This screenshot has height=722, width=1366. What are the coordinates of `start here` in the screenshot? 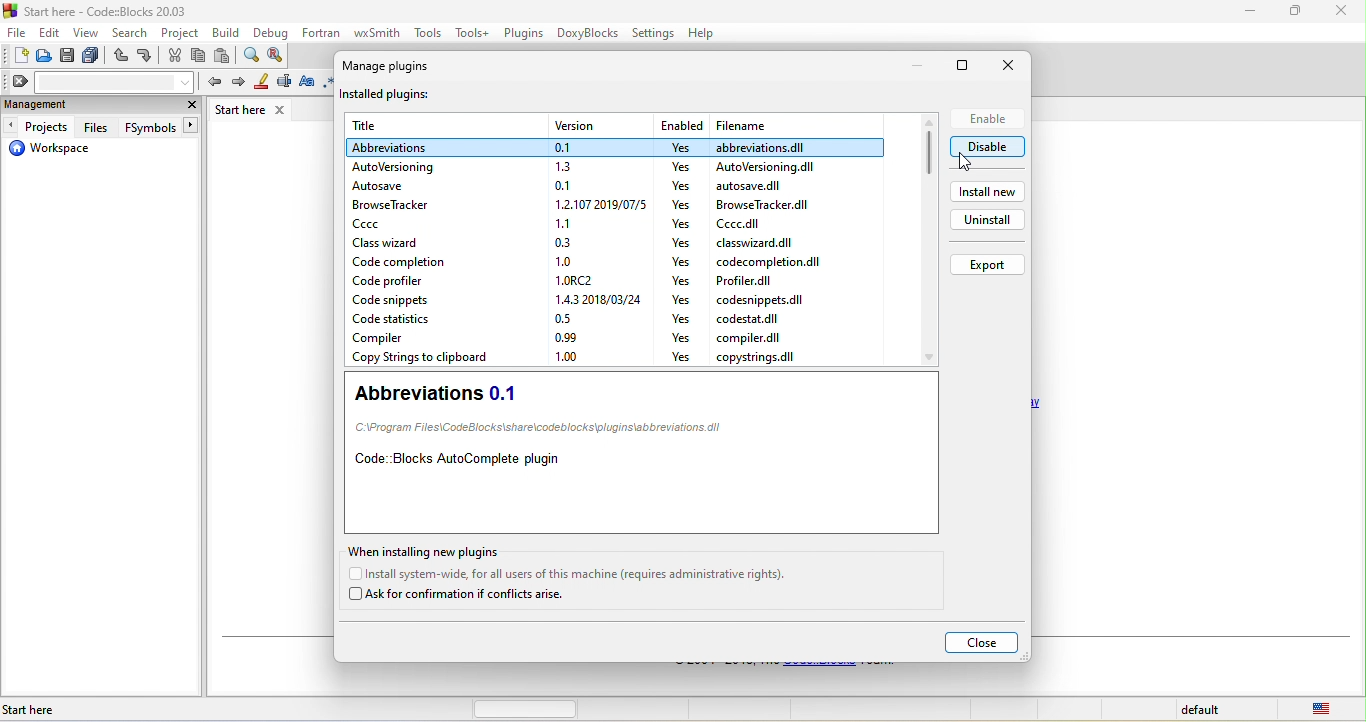 It's located at (254, 110).